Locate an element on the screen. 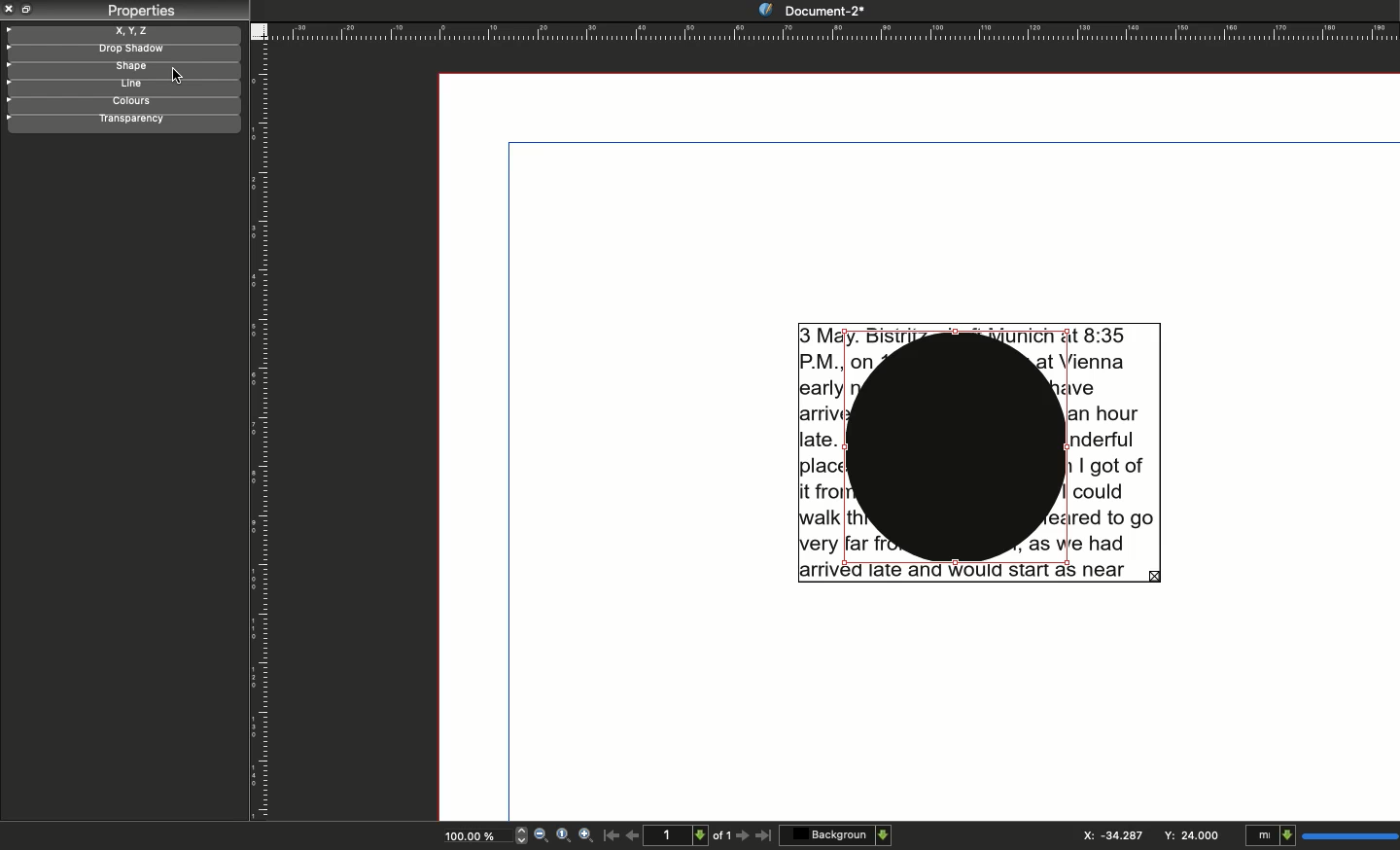  x: 106.626 is located at coordinates (1106, 834).